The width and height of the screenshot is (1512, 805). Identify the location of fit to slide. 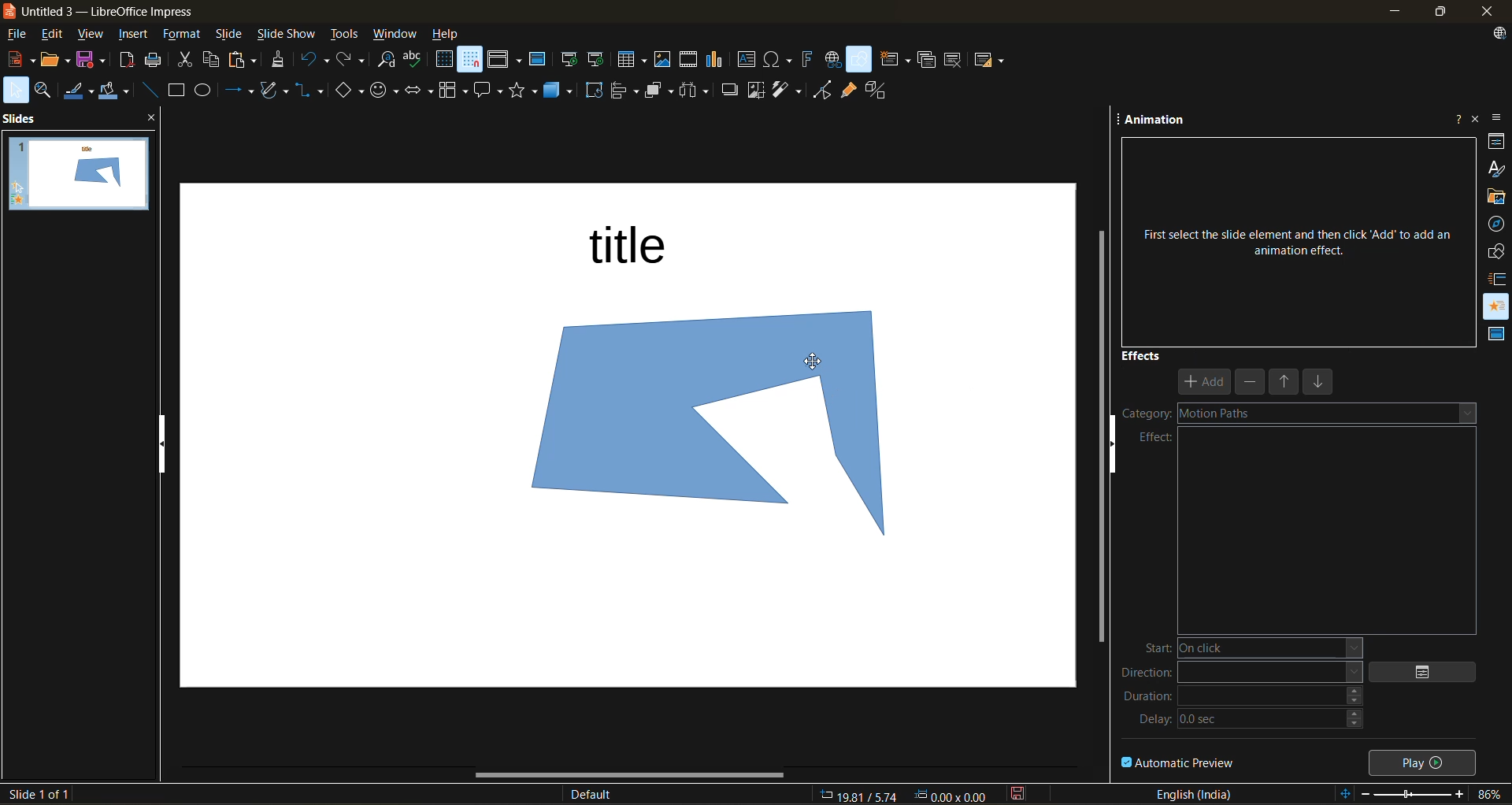
(1342, 792).